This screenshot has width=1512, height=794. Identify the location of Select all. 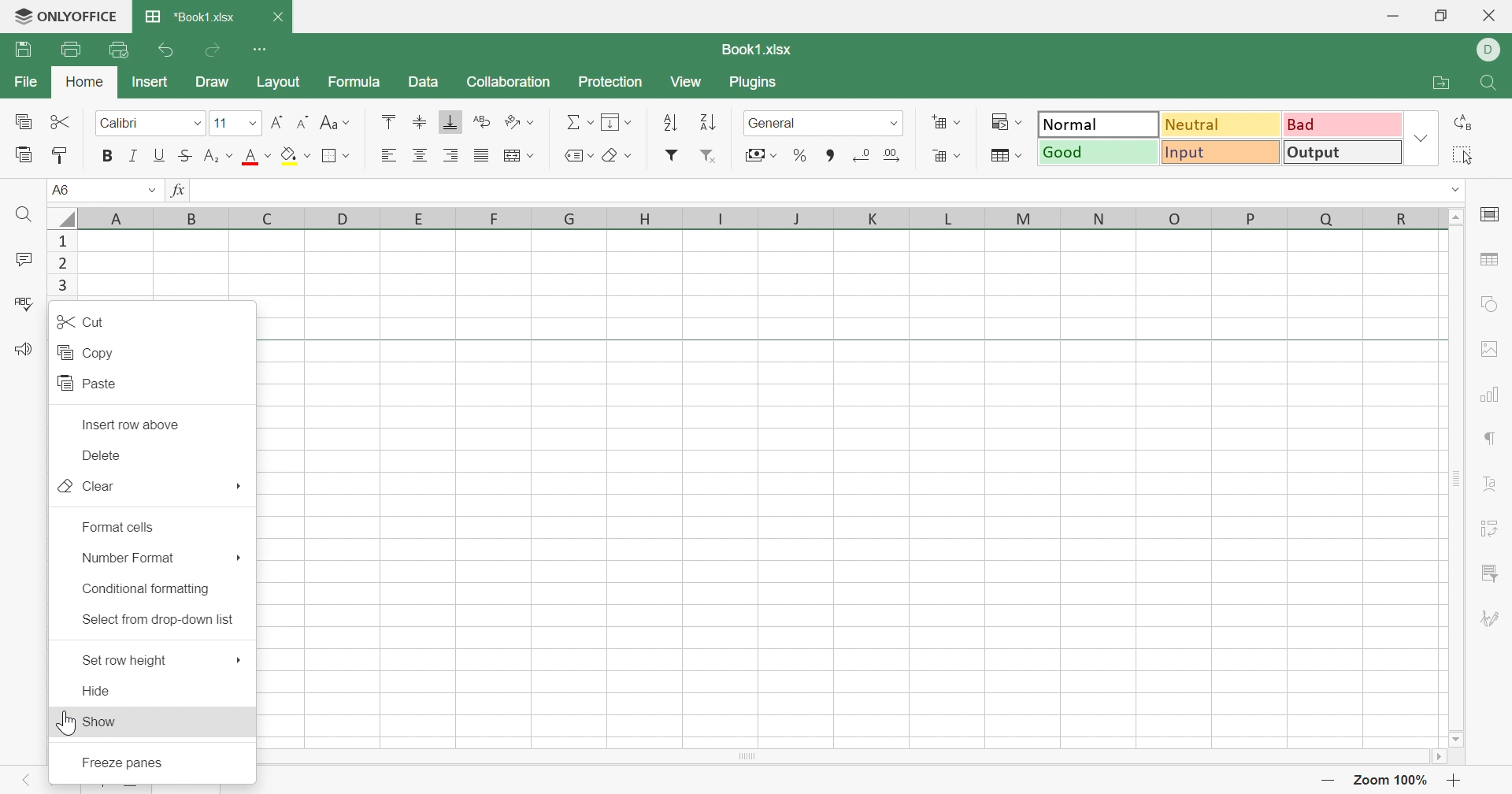
(1466, 155).